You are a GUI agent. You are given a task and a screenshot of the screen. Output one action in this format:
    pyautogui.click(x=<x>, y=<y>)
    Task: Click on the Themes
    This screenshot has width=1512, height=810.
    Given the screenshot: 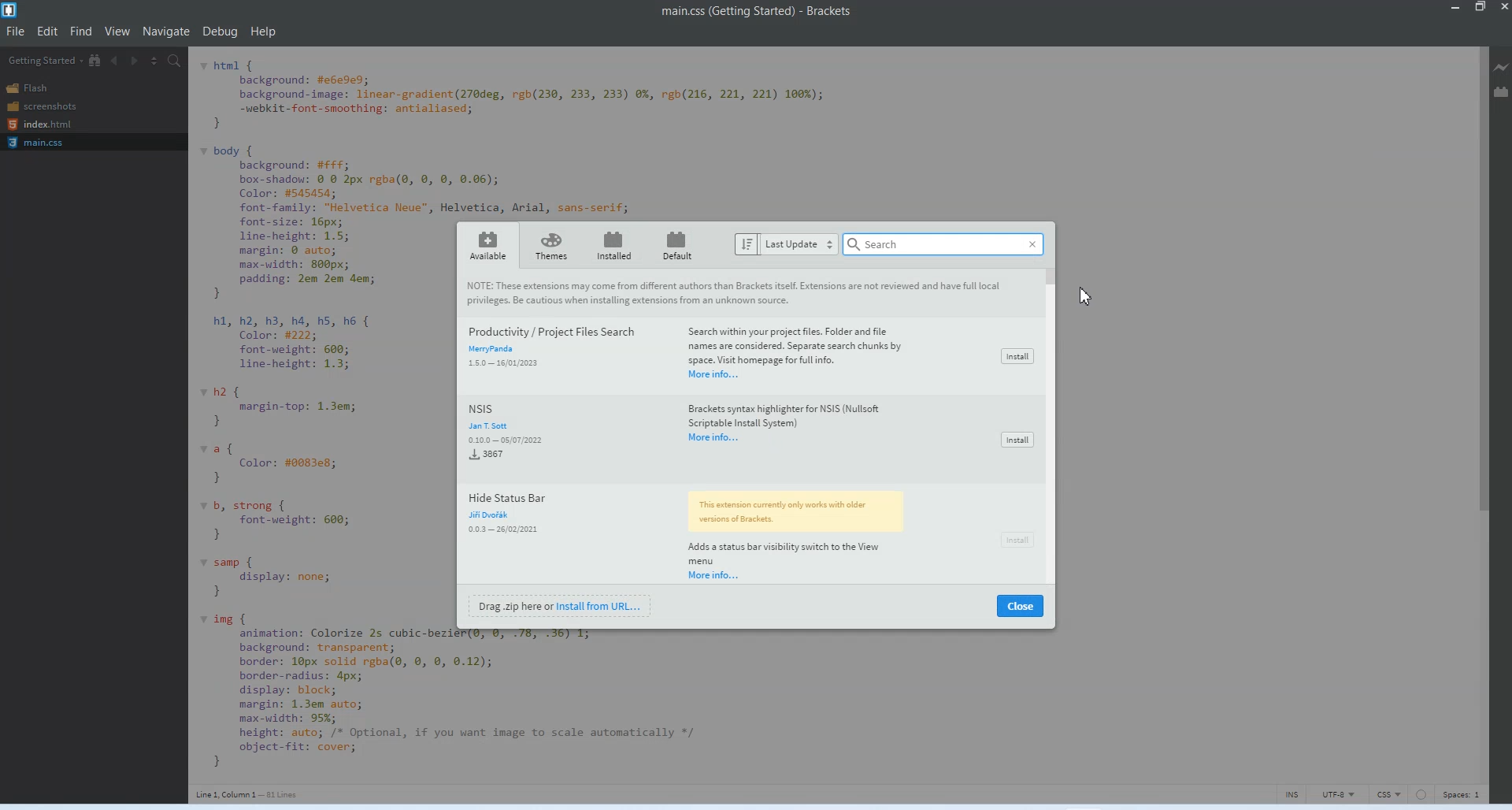 What is the action you would take?
    pyautogui.click(x=550, y=245)
    